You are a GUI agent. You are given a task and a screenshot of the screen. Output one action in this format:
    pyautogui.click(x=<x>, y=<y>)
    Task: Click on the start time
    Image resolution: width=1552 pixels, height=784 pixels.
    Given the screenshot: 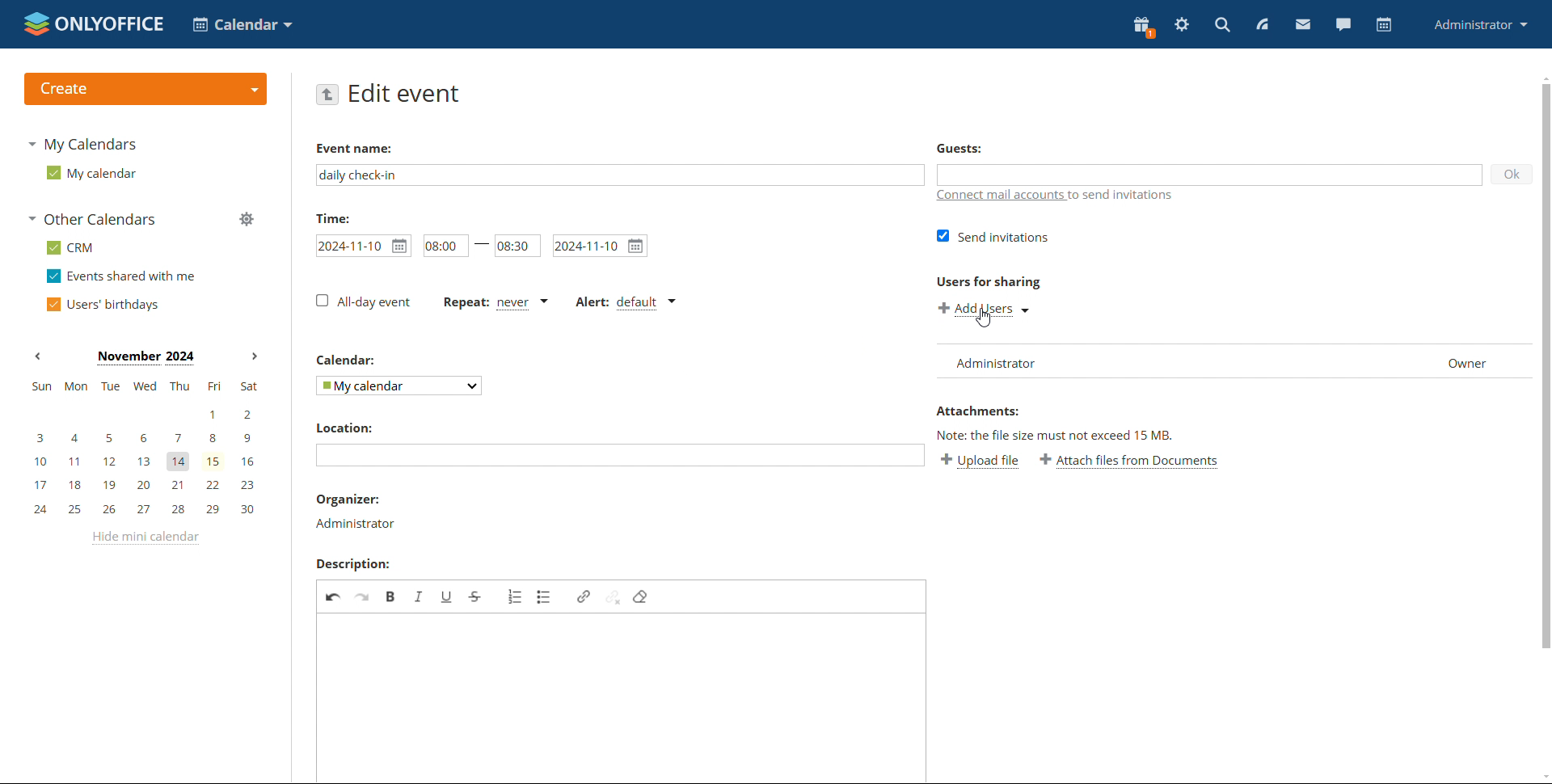 What is the action you would take?
    pyautogui.click(x=441, y=246)
    